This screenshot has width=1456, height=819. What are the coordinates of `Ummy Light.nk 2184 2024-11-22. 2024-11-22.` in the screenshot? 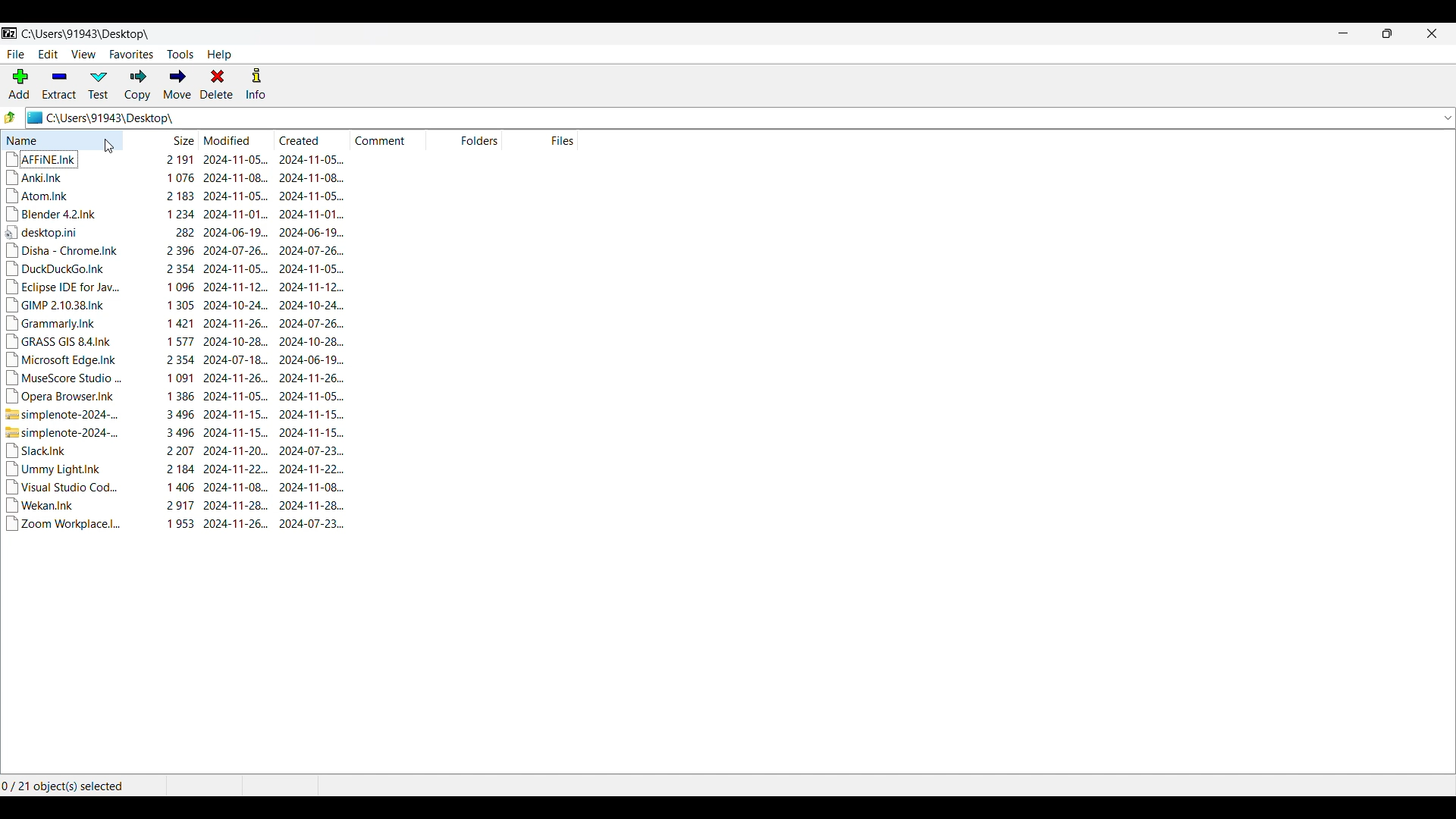 It's located at (176, 469).